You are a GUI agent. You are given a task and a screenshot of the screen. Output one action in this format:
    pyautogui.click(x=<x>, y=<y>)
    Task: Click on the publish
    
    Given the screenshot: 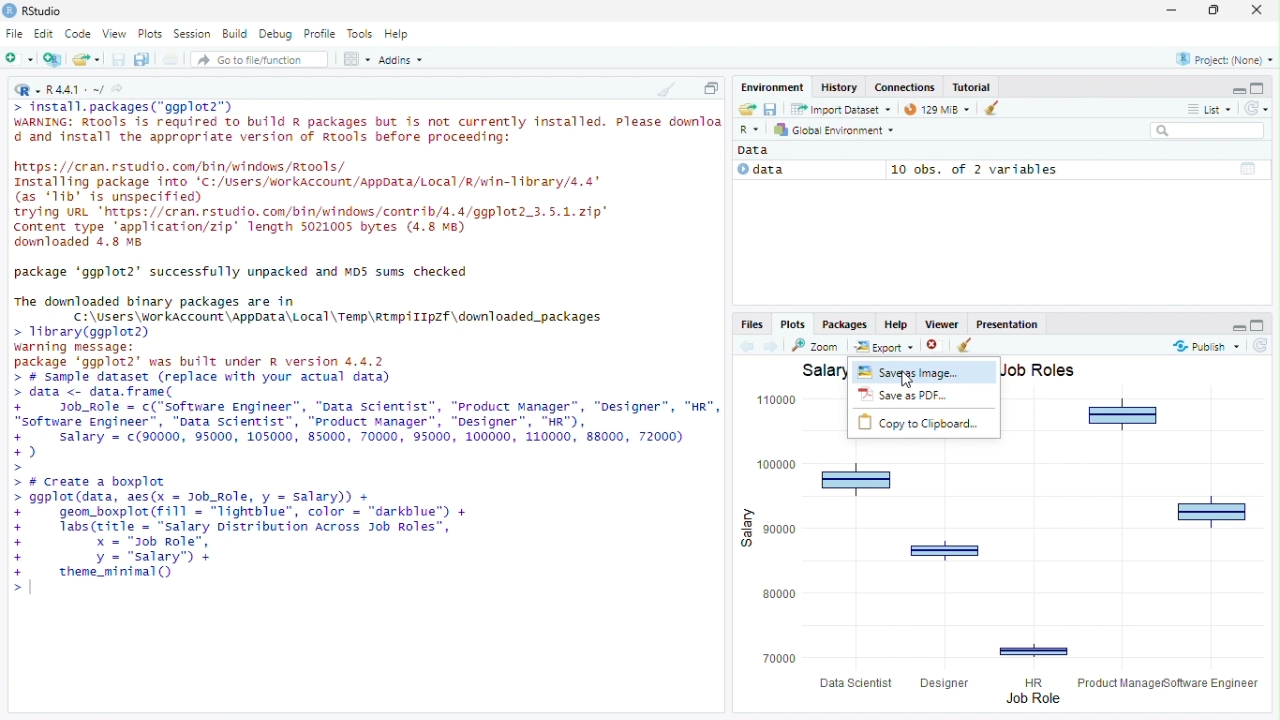 What is the action you would take?
    pyautogui.click(x=1207, y=346)
    